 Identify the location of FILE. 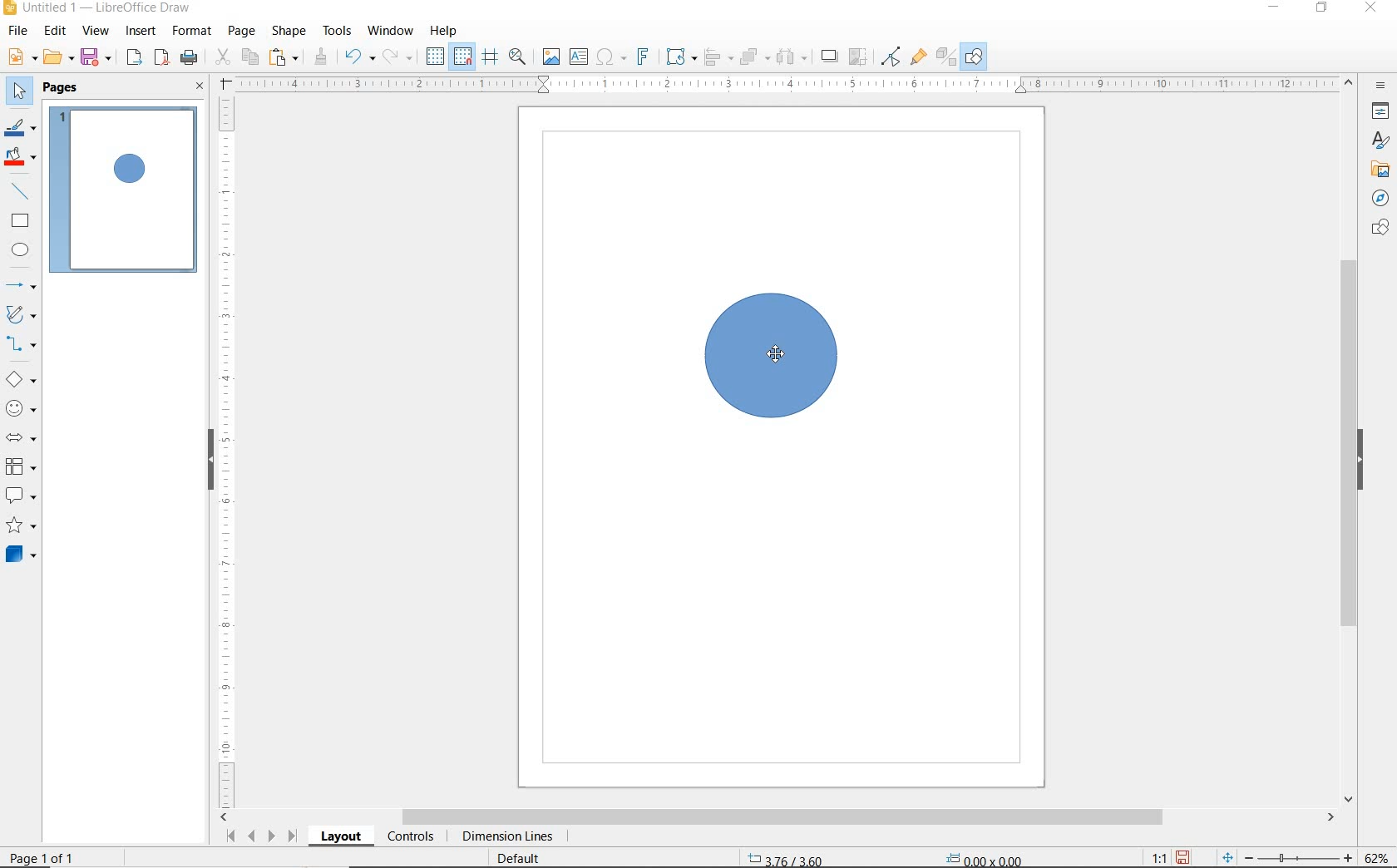
(21, 31).